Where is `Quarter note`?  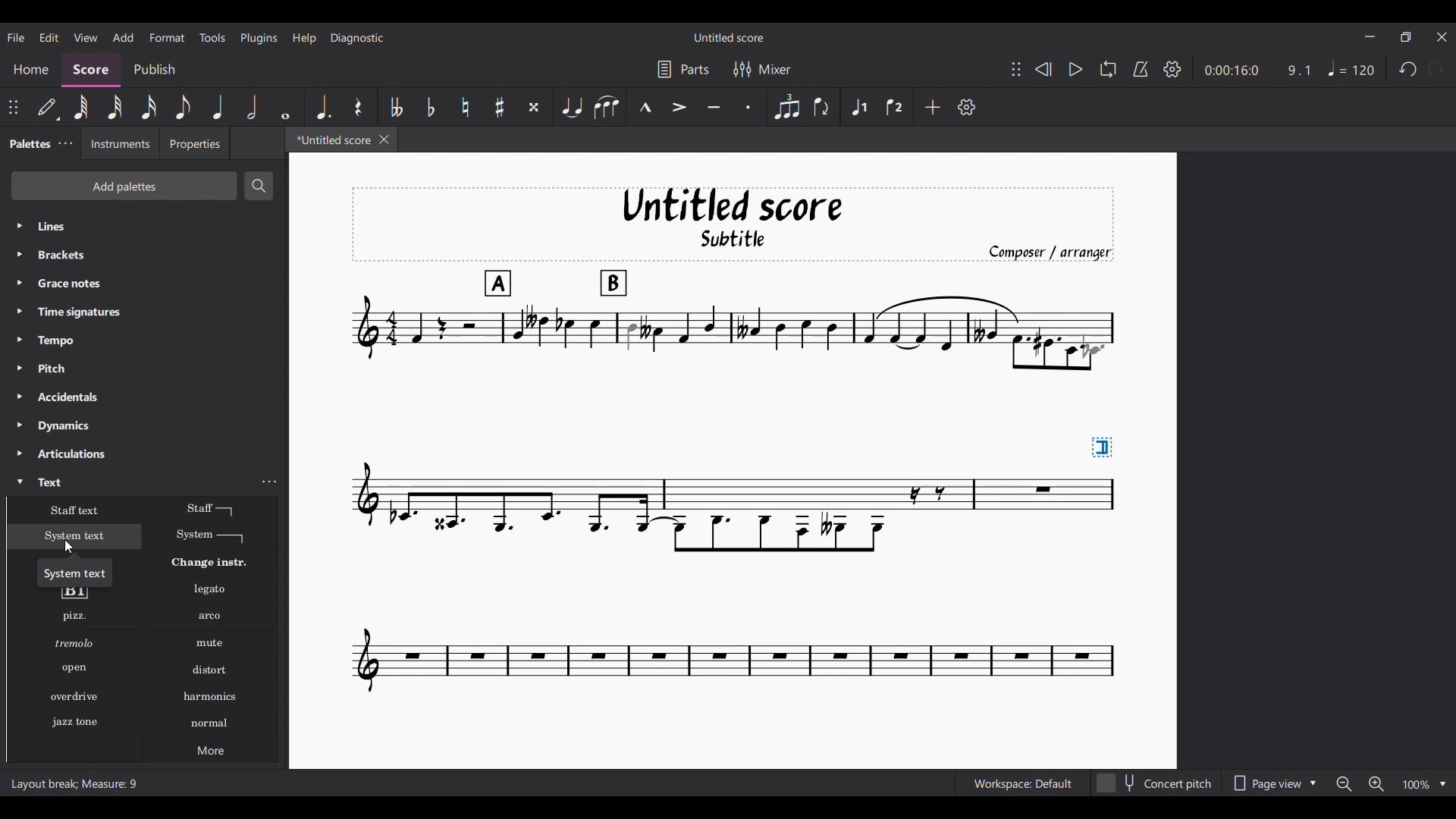 Quarter note is located at coordinates (218, 106).